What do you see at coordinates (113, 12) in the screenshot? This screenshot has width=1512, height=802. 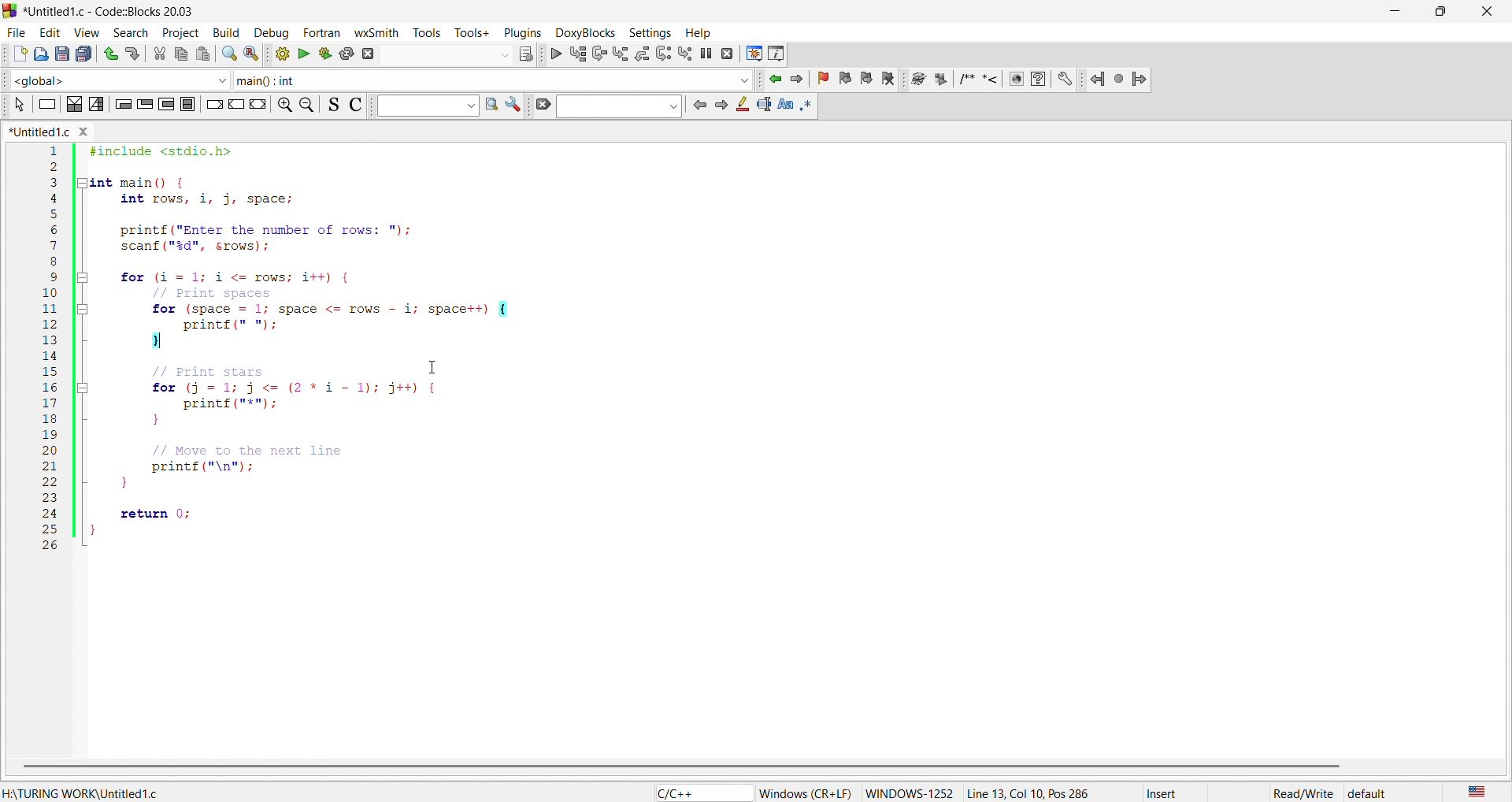 I see `Untitieadl.c - CodeBlocks 20.05` at bounding box center [113, 12].